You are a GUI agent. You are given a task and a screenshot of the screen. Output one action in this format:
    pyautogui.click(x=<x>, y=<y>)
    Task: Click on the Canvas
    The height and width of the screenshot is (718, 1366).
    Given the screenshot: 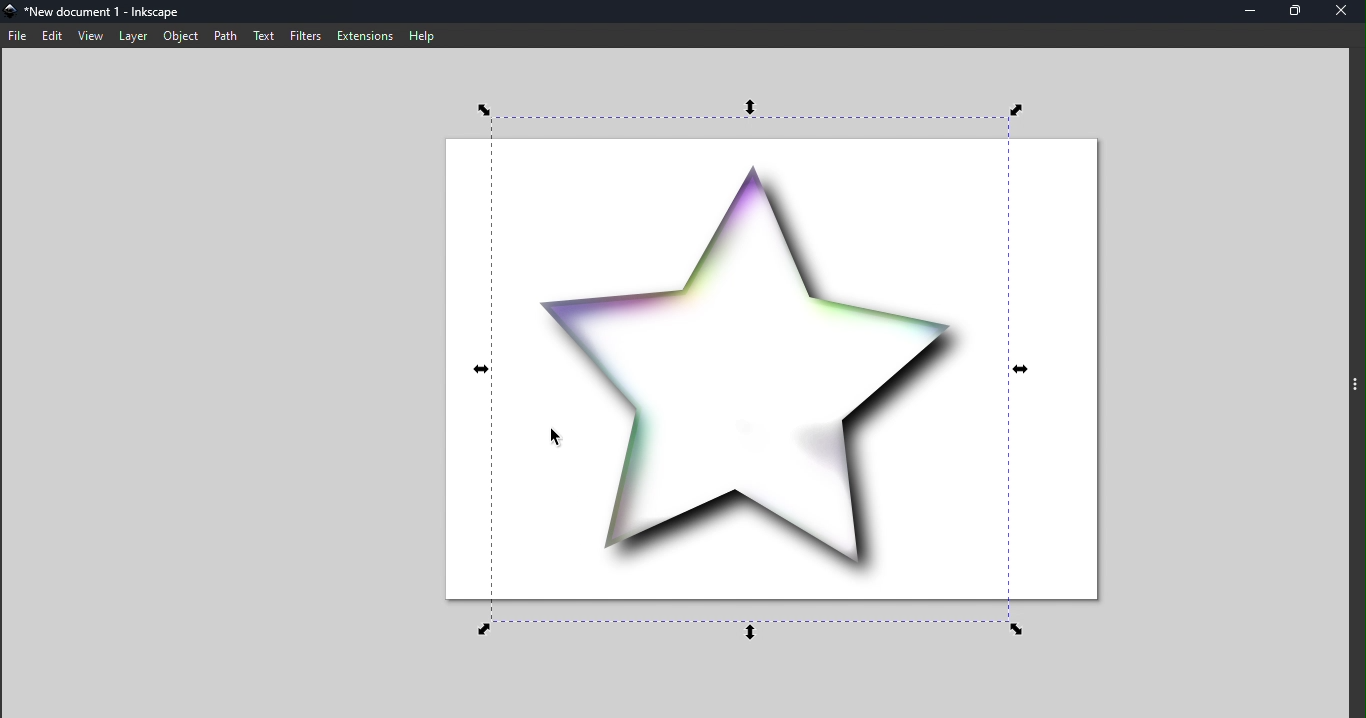 What is the action you would take?
    pyautogui.click(x=767, y=369)
    